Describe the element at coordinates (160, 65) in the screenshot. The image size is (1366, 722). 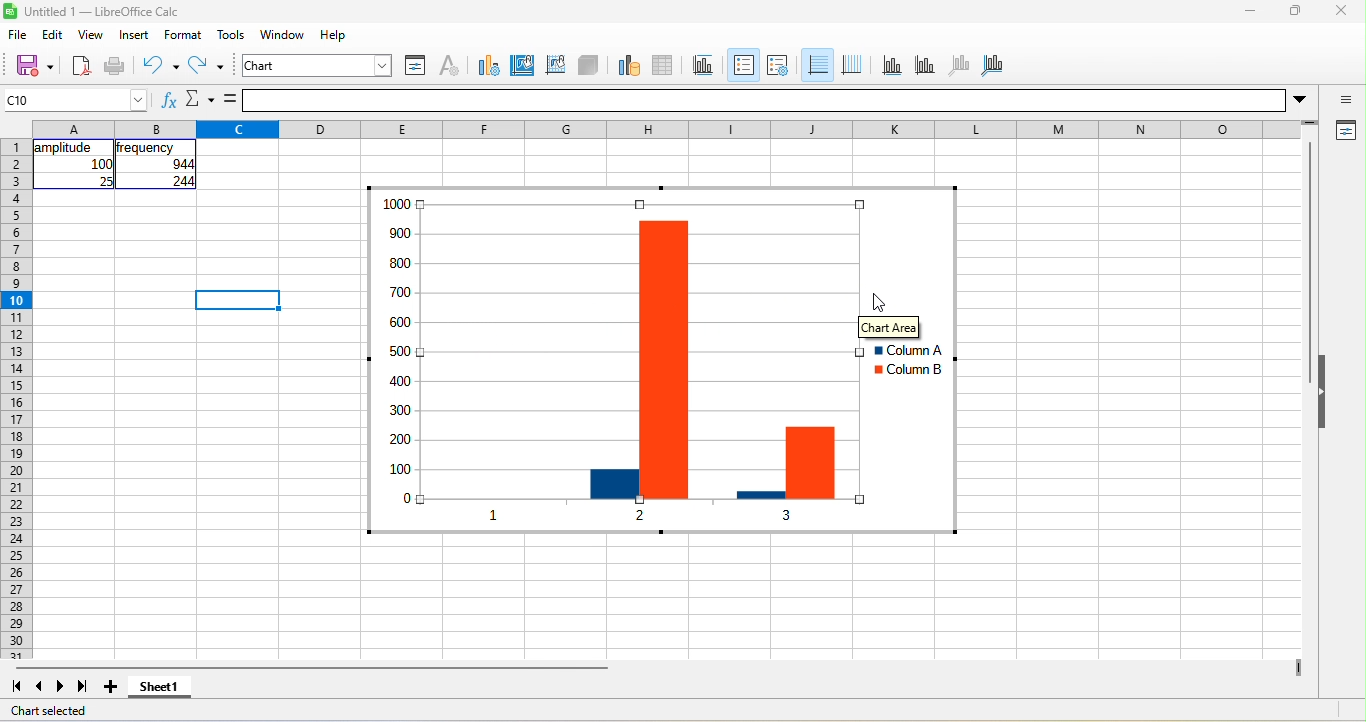
I see `undo` at that location.